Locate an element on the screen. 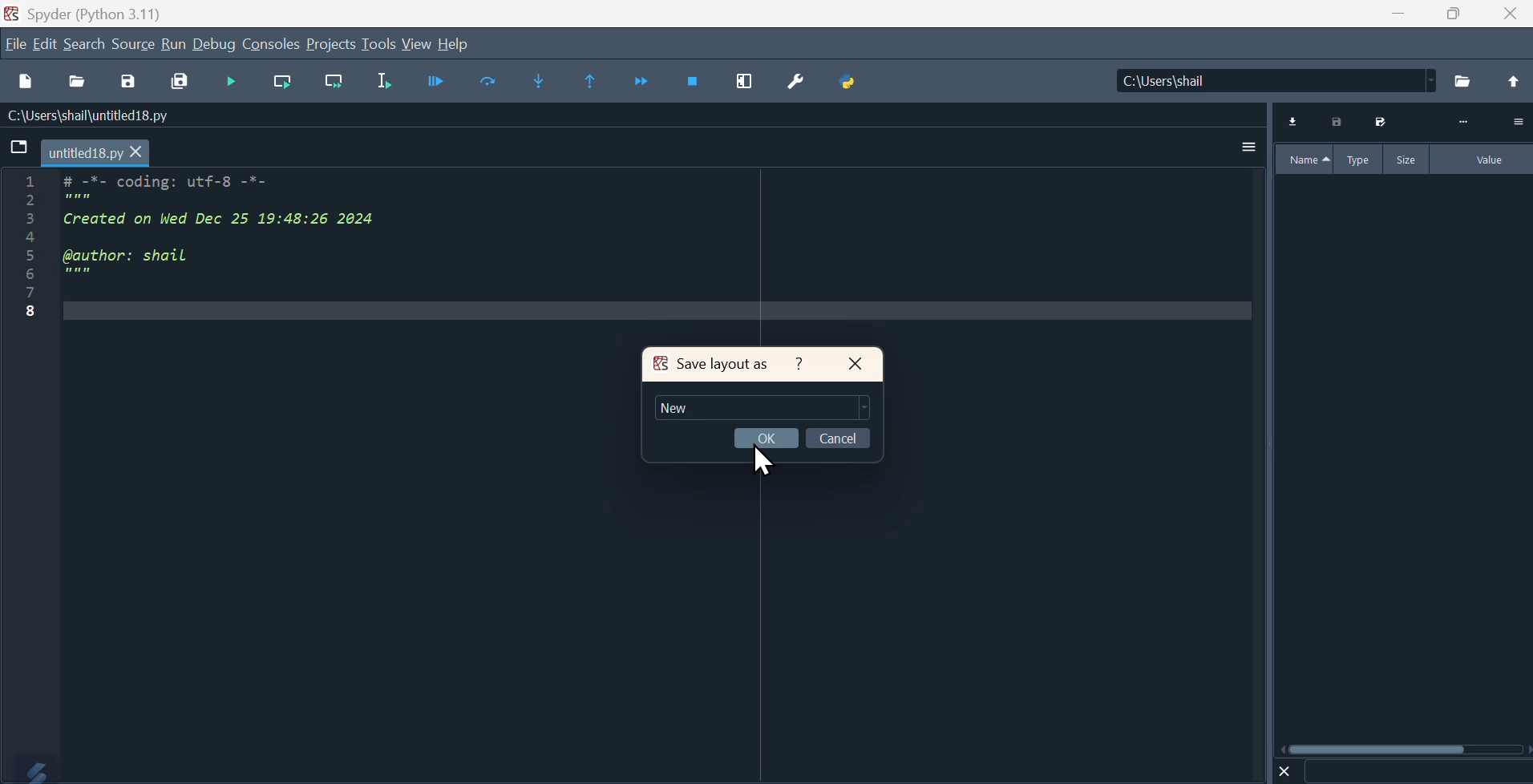 This screenshot has width=1533, height=784. Replace text is located at coordinates (487, 81).